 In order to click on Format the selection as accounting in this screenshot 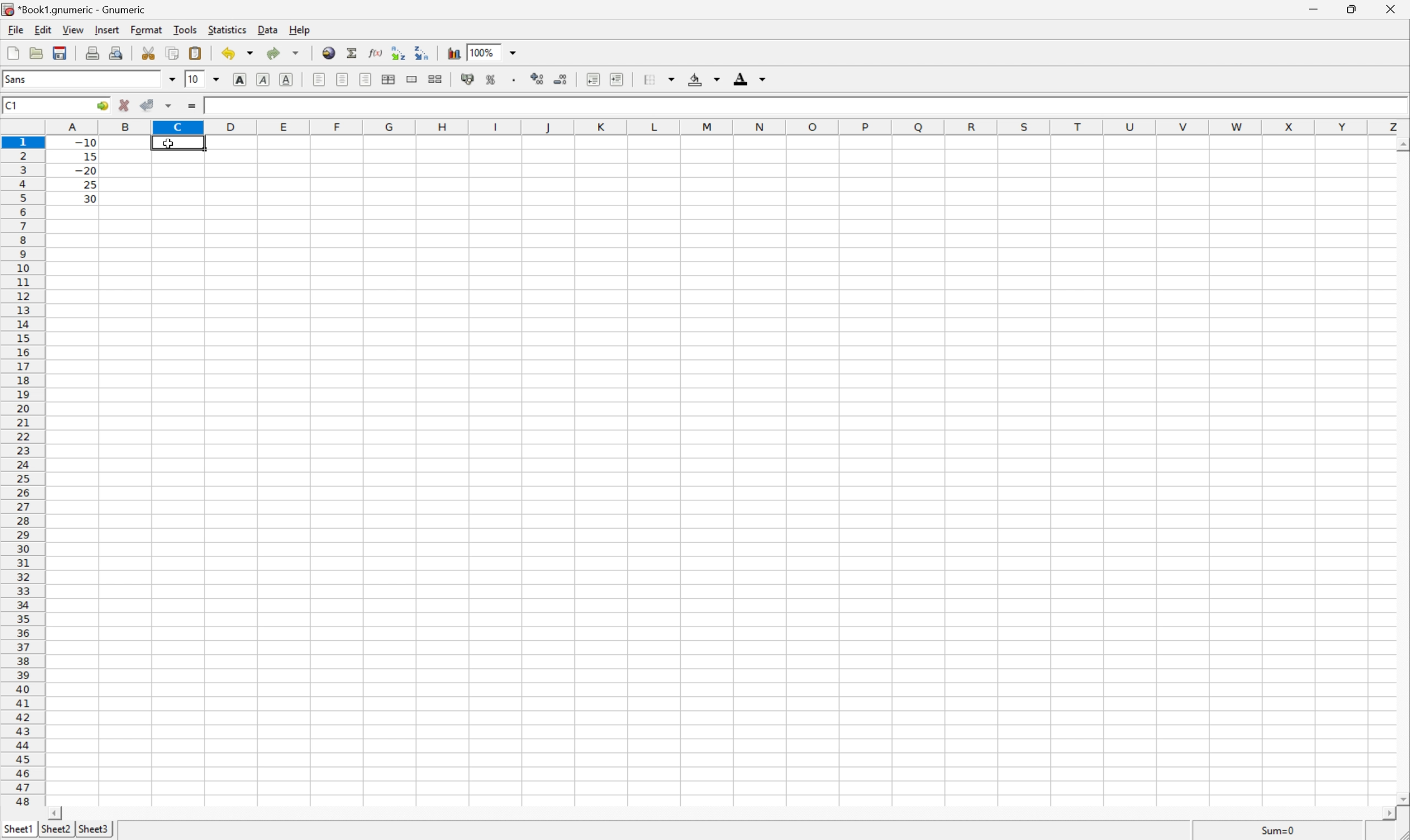, I will do `click(467, 80)`.